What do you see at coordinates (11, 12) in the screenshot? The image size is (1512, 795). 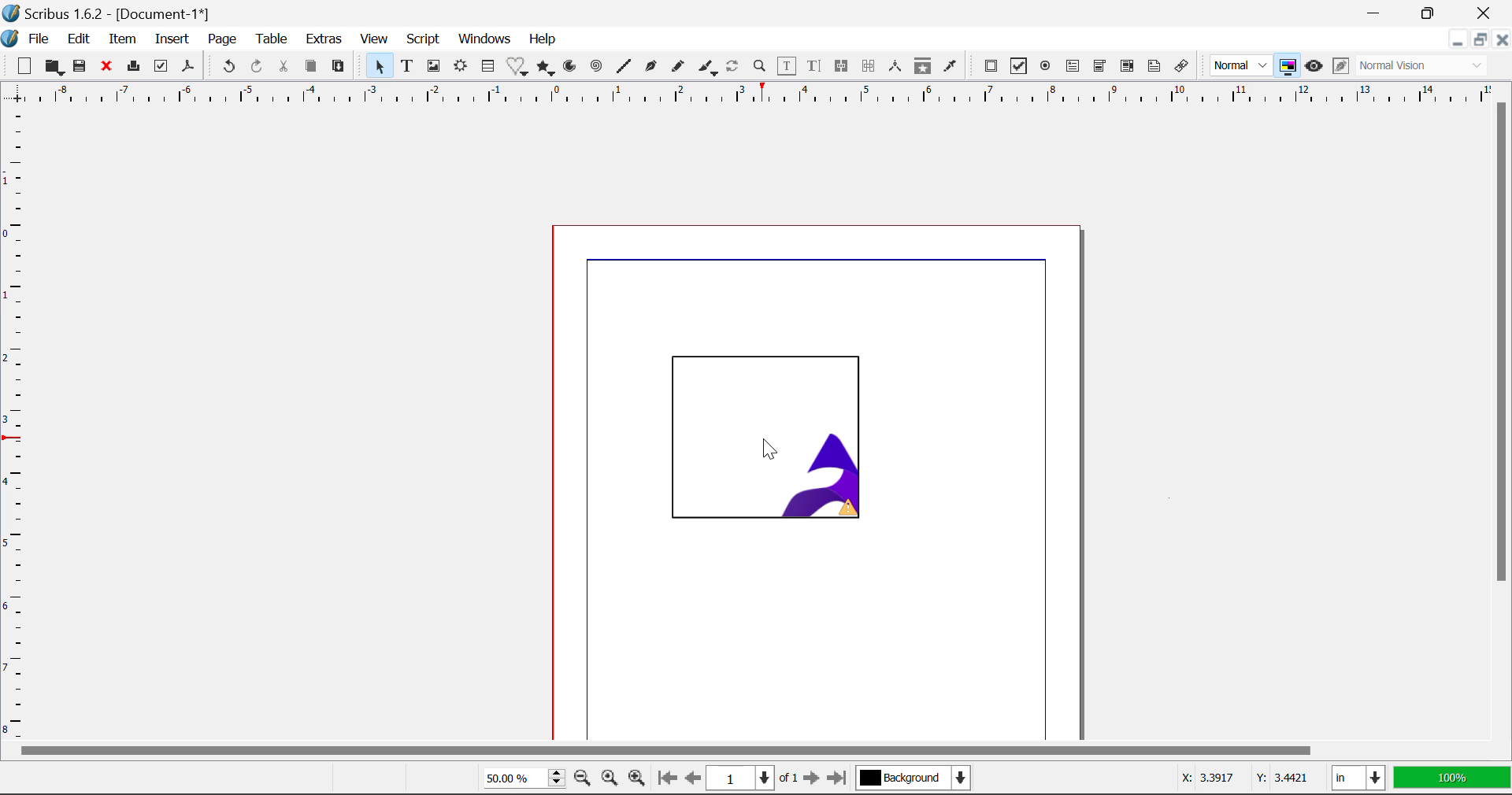 I see `icon` at bounding box center [11, 12].